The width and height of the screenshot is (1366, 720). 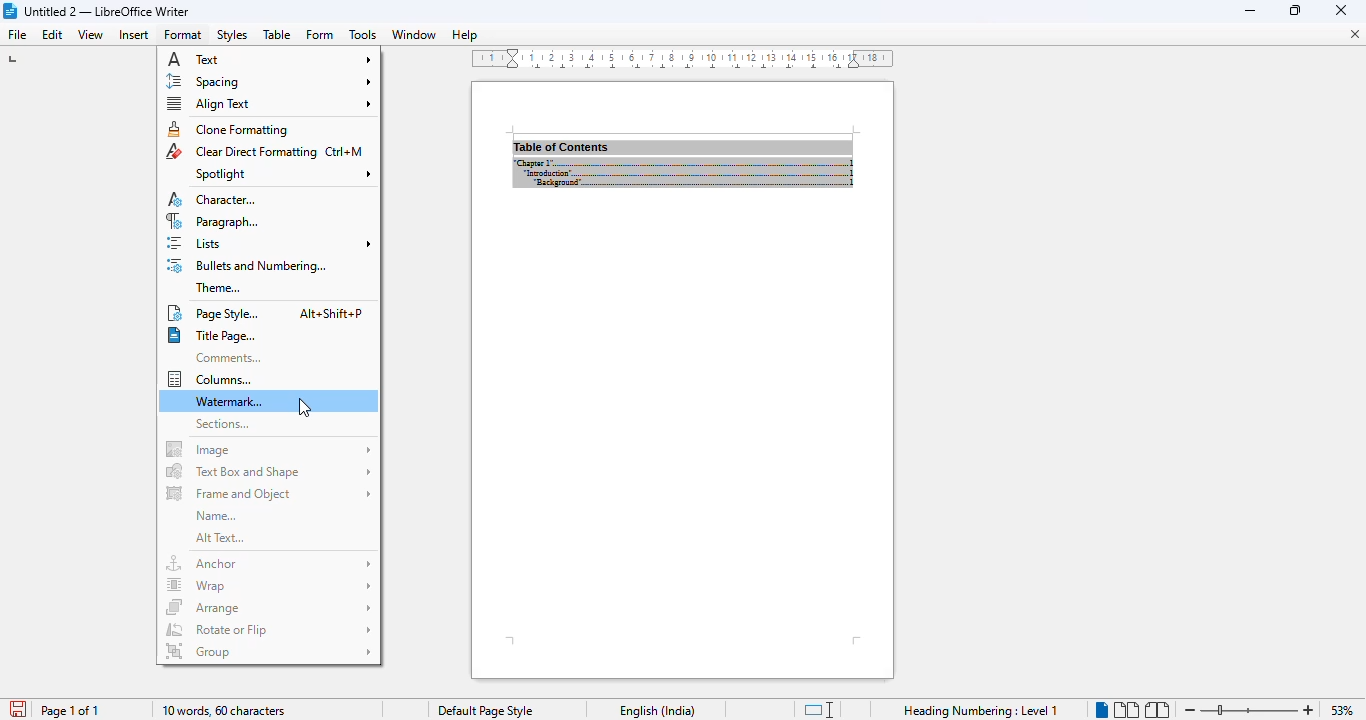 I want to click on align text, so click(x=269, y=103).